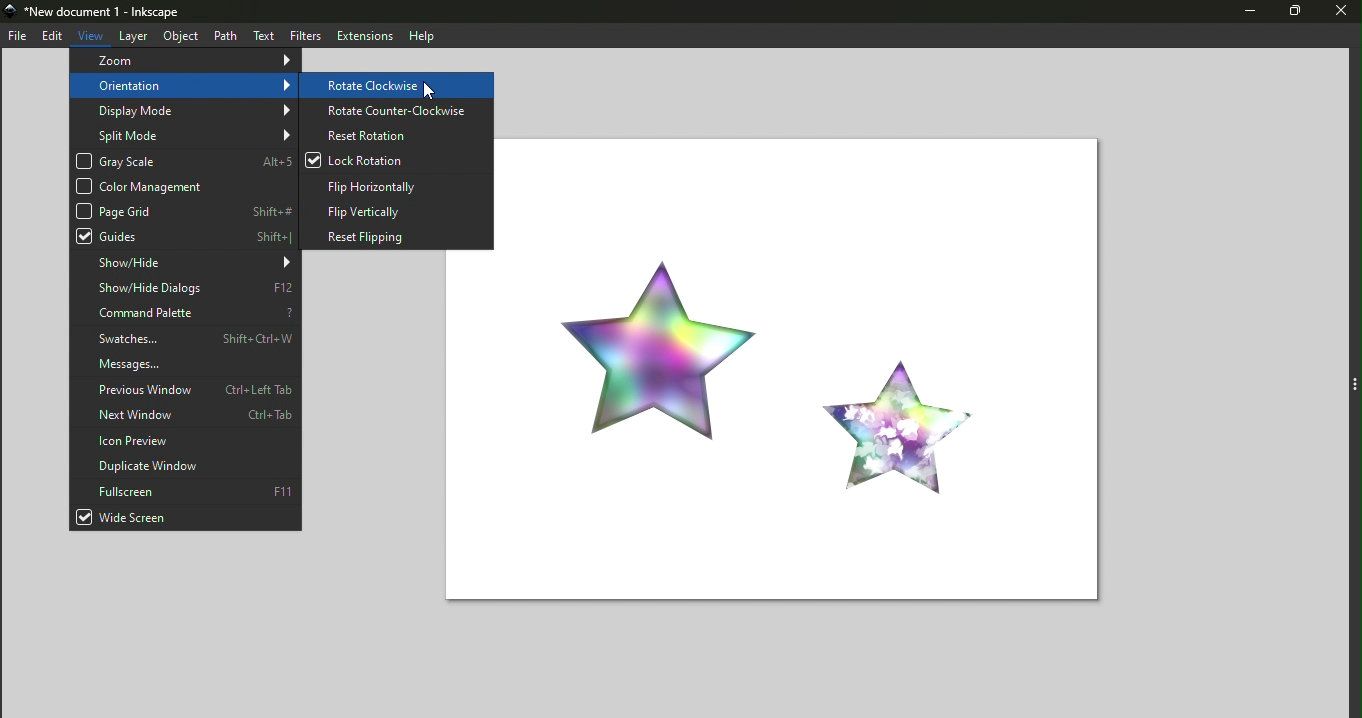  What do you see at coordinates (427, 89) in the screenshot?
I see `Cursor` at bounding box center [427, 89].